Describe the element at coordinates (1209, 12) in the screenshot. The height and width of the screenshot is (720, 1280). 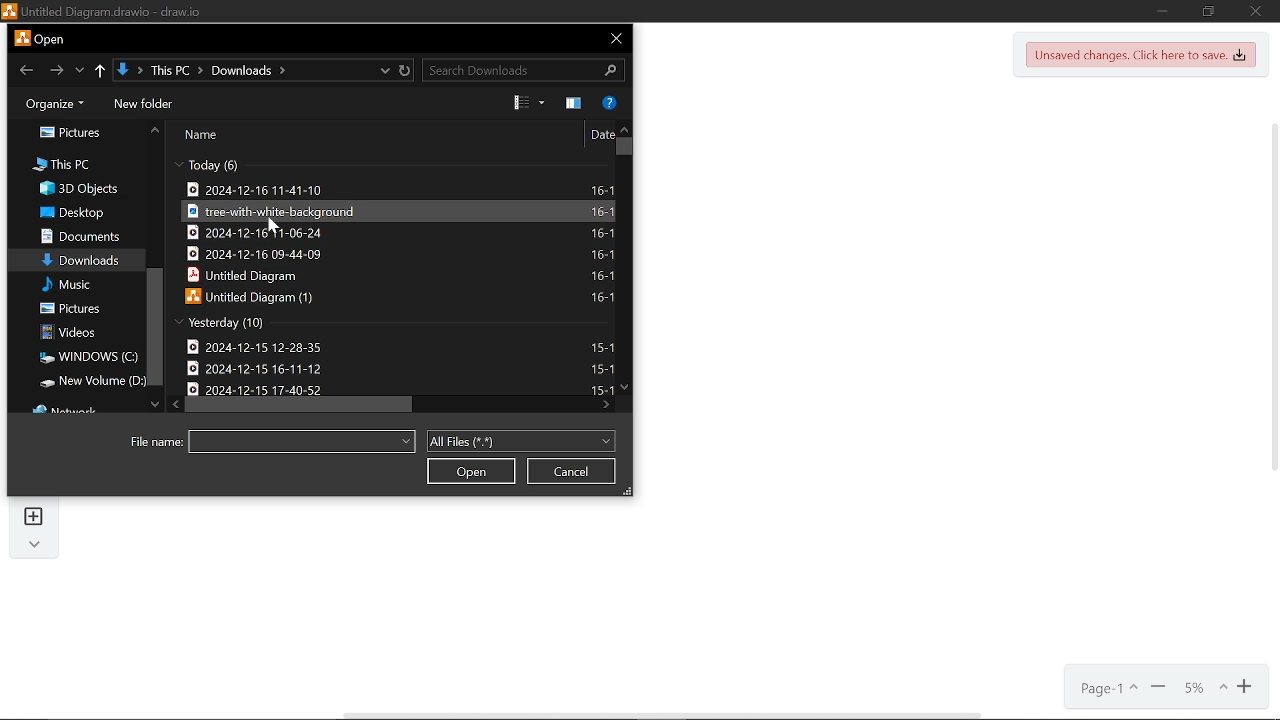
I see `restore down` at that location.